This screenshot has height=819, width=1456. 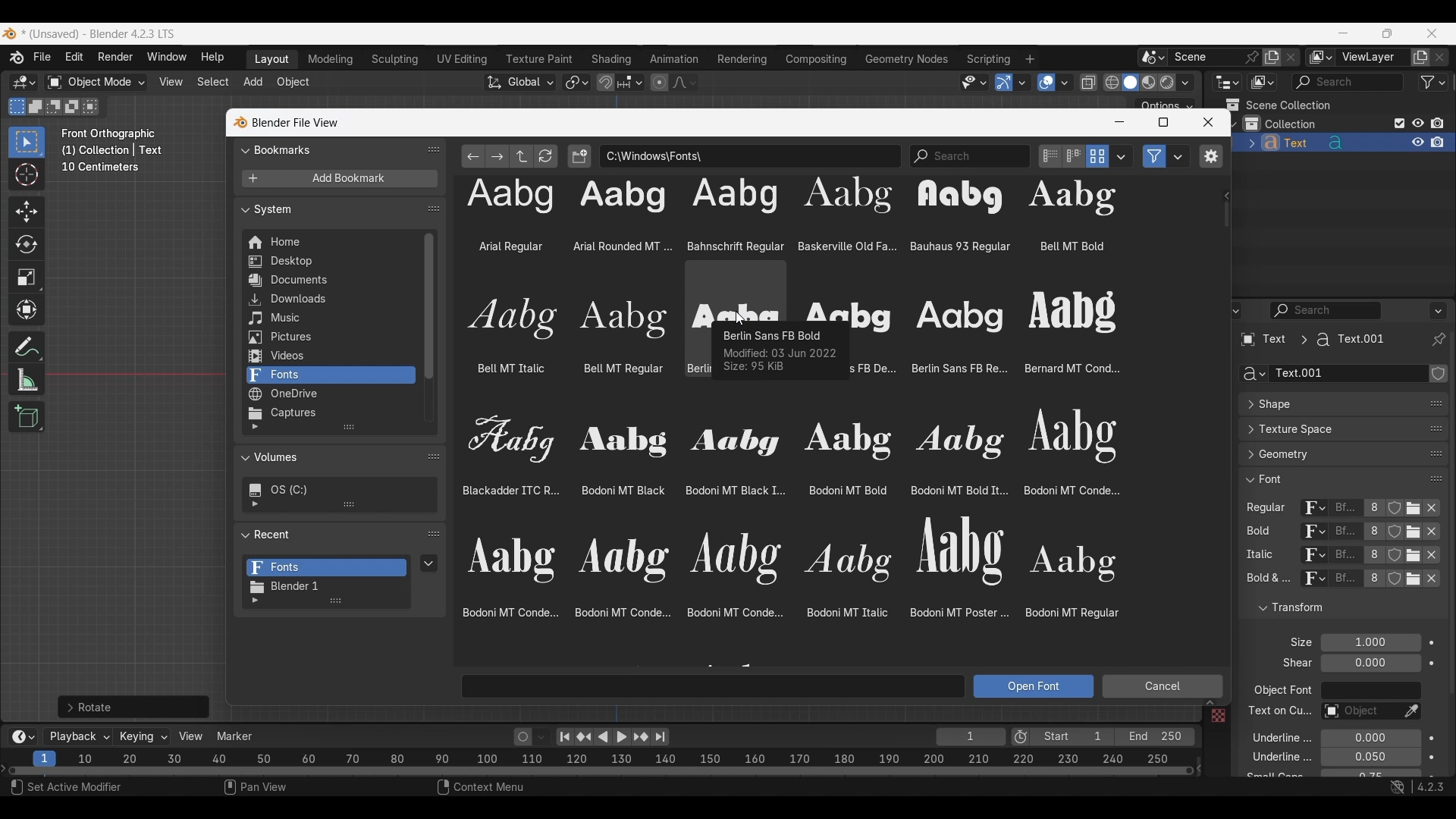 I want to click on Add menu highlighted as current selection, so click(x=253, y=83).